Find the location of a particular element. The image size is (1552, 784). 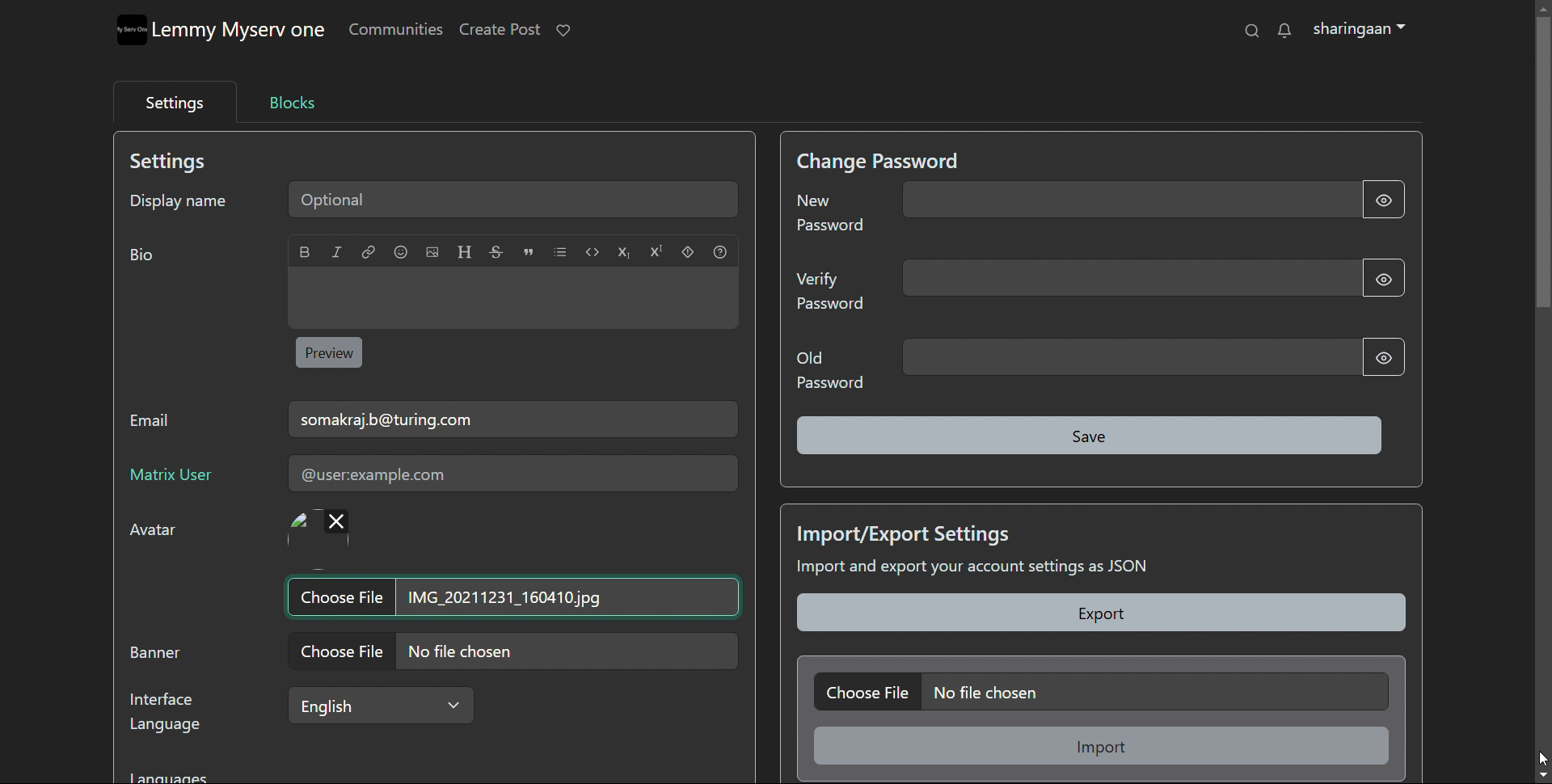

import is located at coordinates (1103, 745).